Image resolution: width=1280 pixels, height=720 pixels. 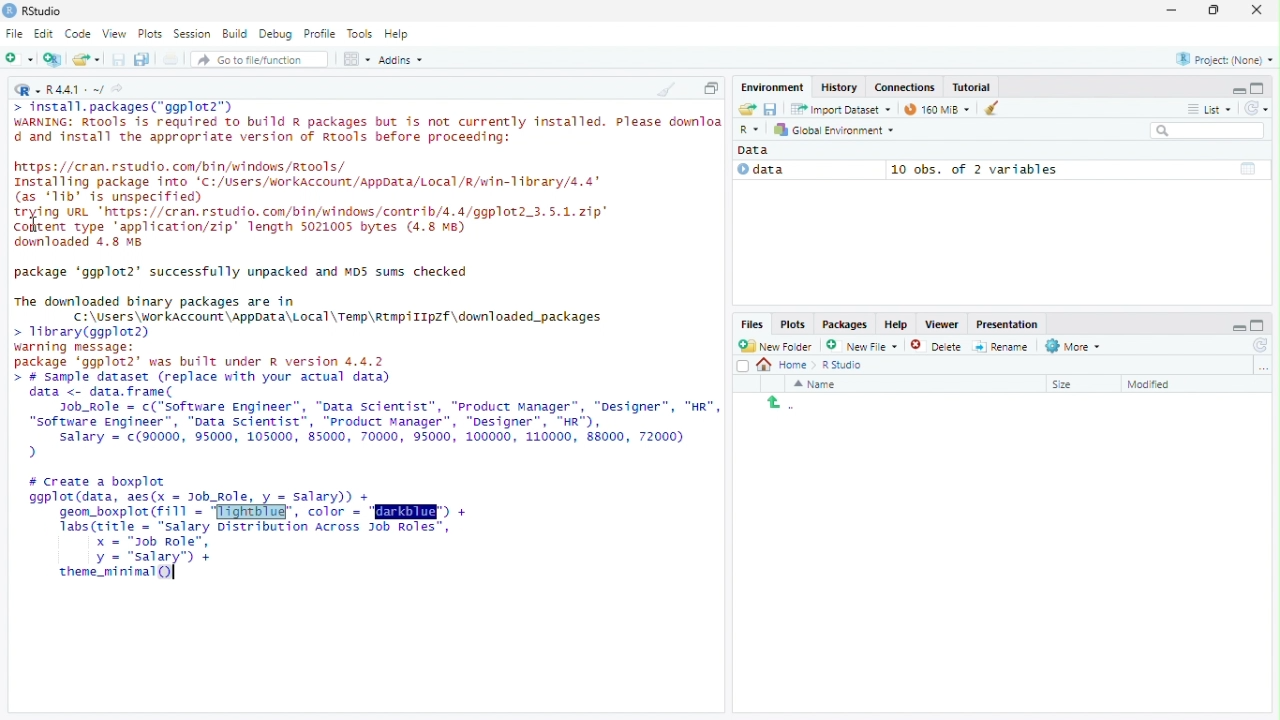 What do you see at coordinates (711, 88) in the screenshot?
I see `Maximize` at bounding box center [711, 88].